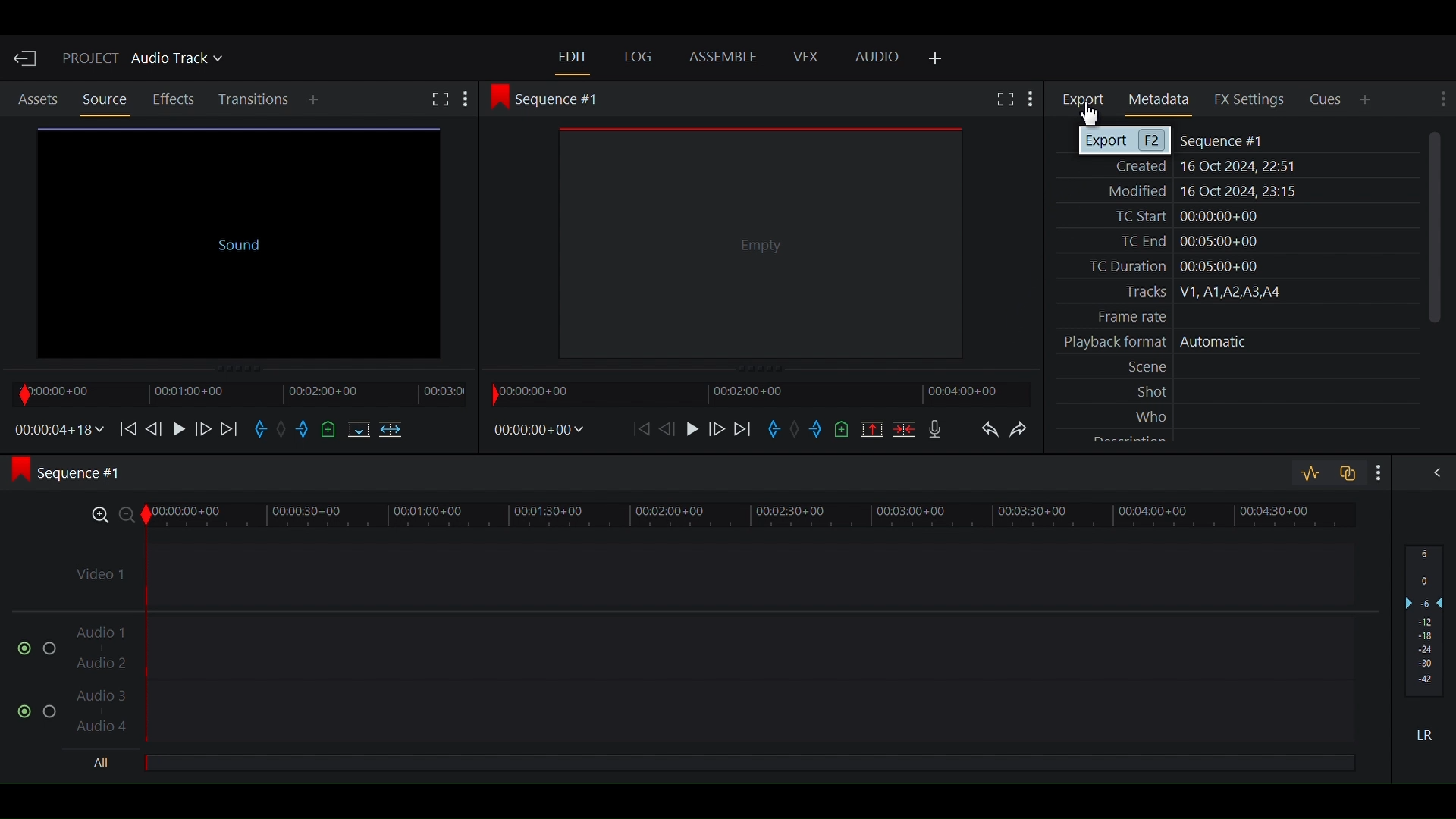  I want to click on Mark out, so click(304, 431).